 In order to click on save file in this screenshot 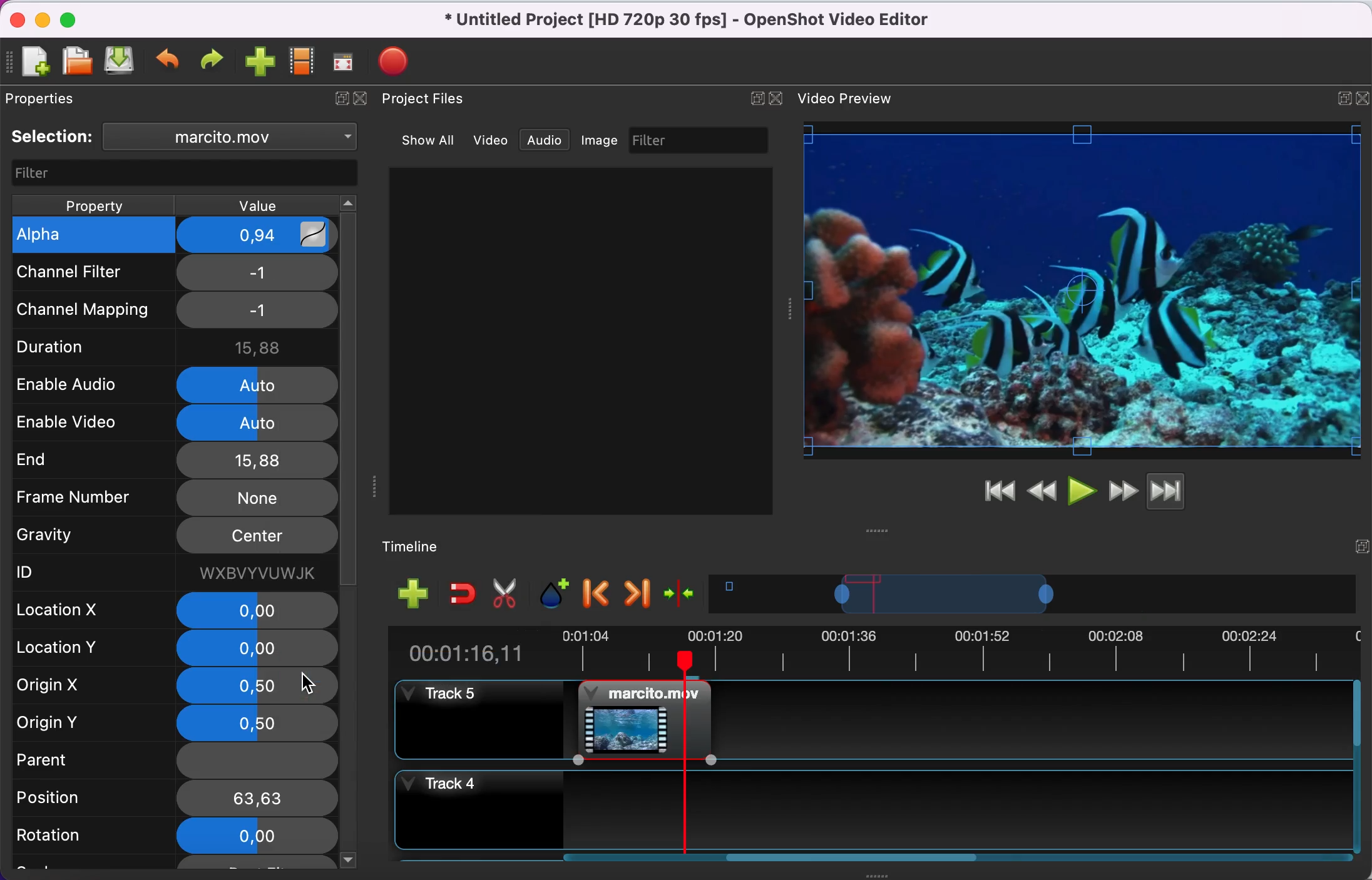, I will do `click(121, 63)`.